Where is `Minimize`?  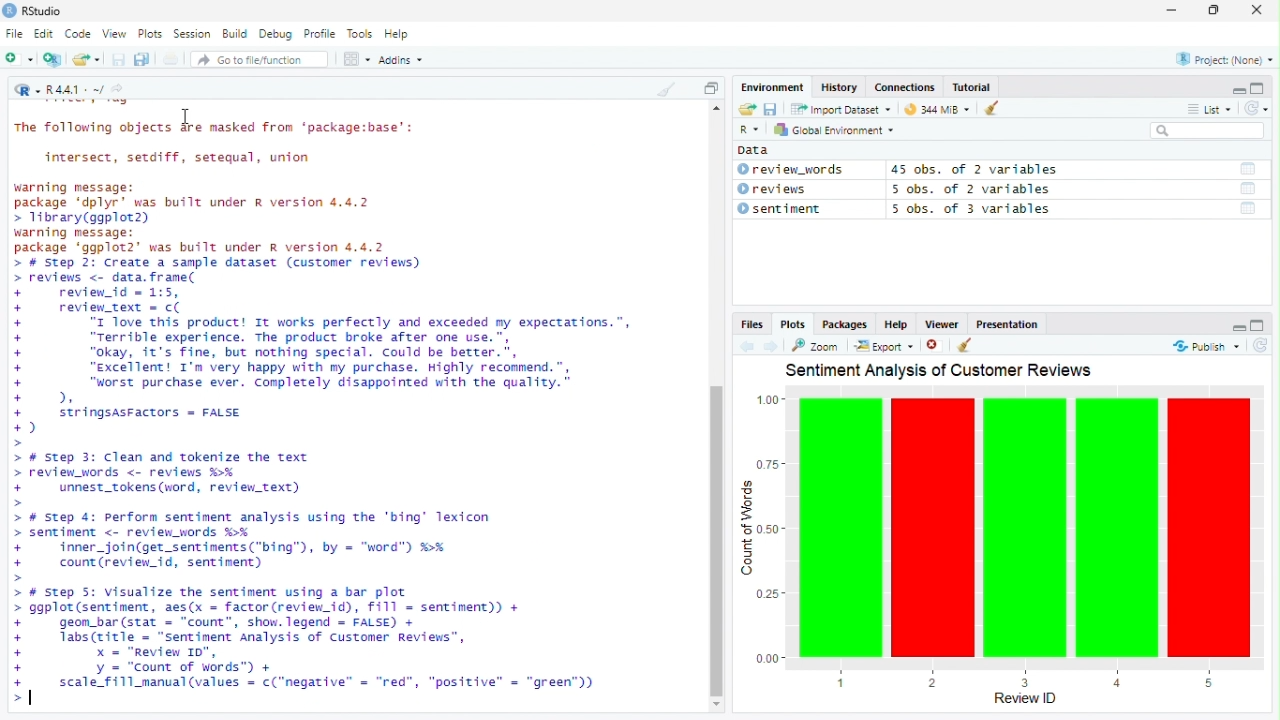
Minimize is located at coordinates (1237, 89).